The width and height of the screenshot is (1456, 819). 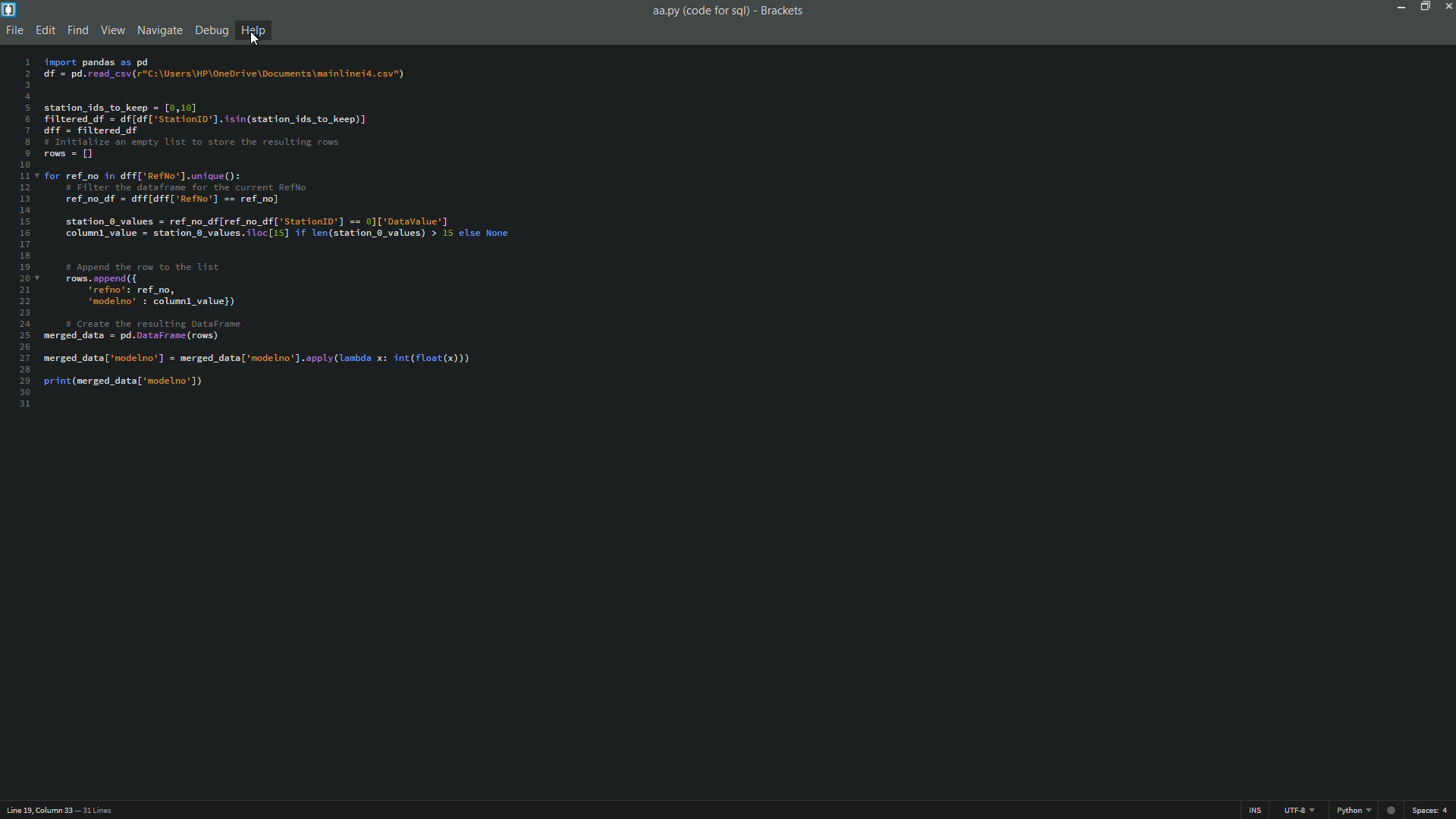 I want to click on code, so click(x=276, y=224).